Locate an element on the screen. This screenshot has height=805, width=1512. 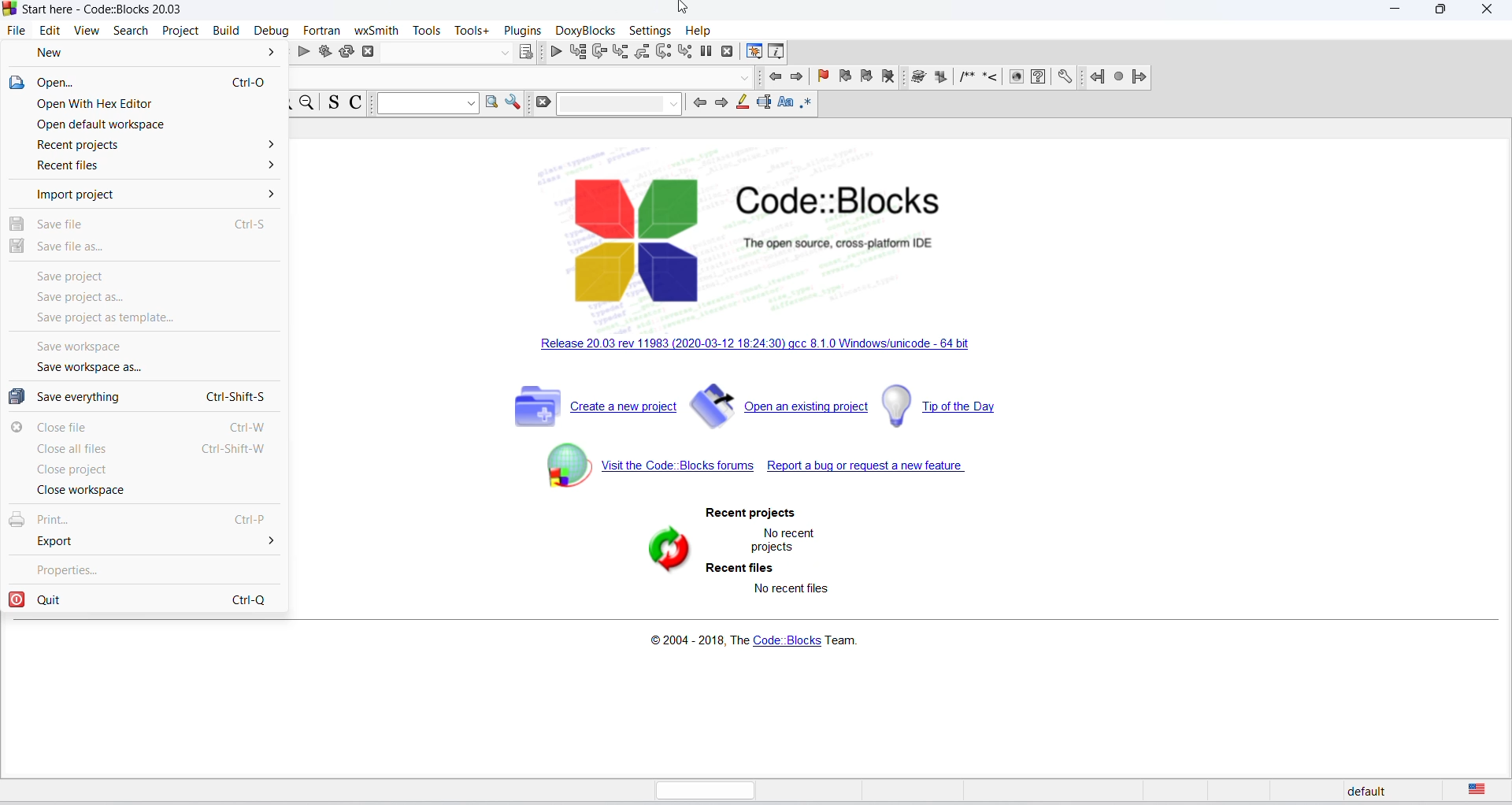
save everything is located at coordinates (143, 399).